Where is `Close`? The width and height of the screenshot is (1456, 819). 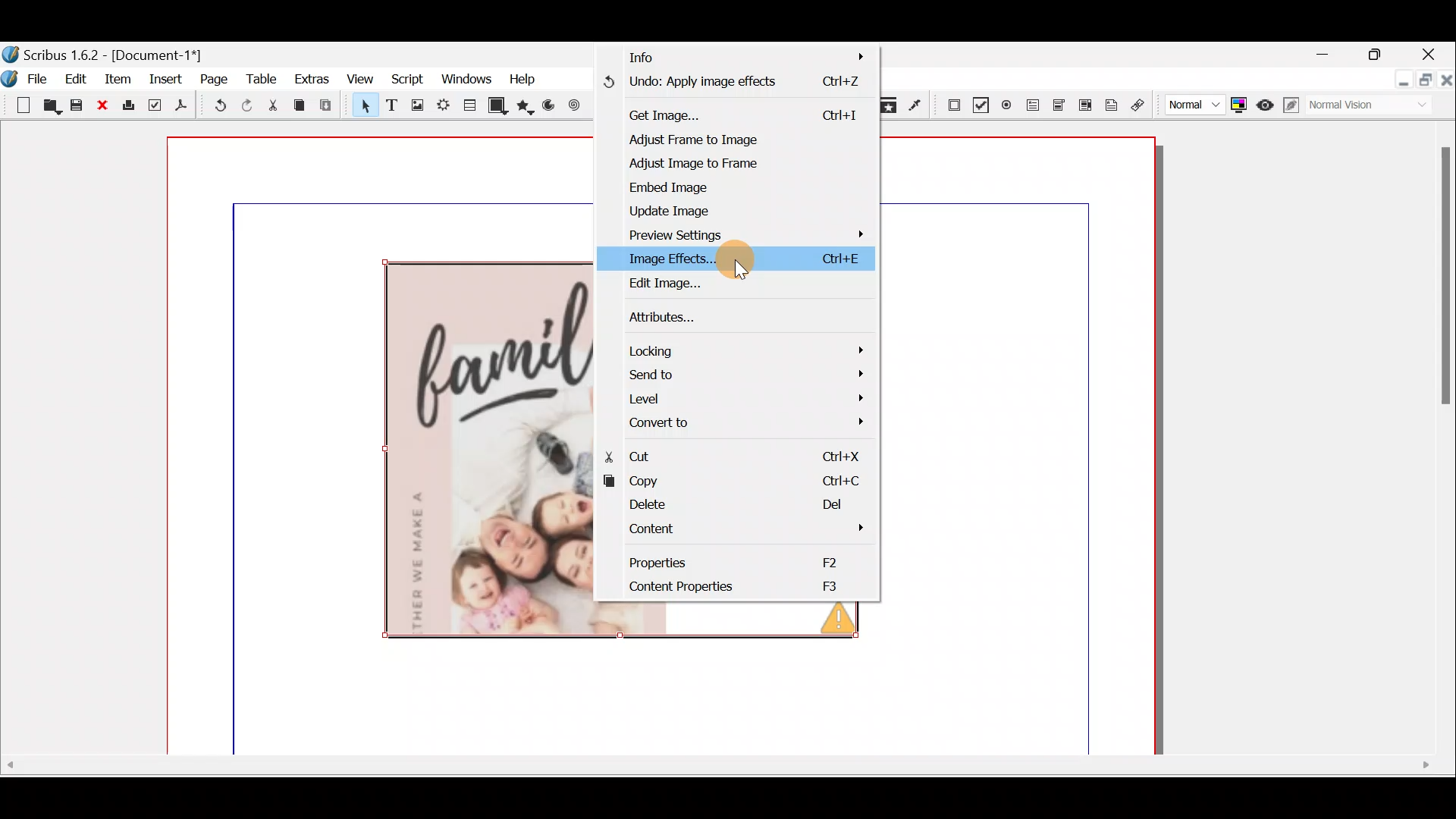 Close is located at coordinates (102, 108).